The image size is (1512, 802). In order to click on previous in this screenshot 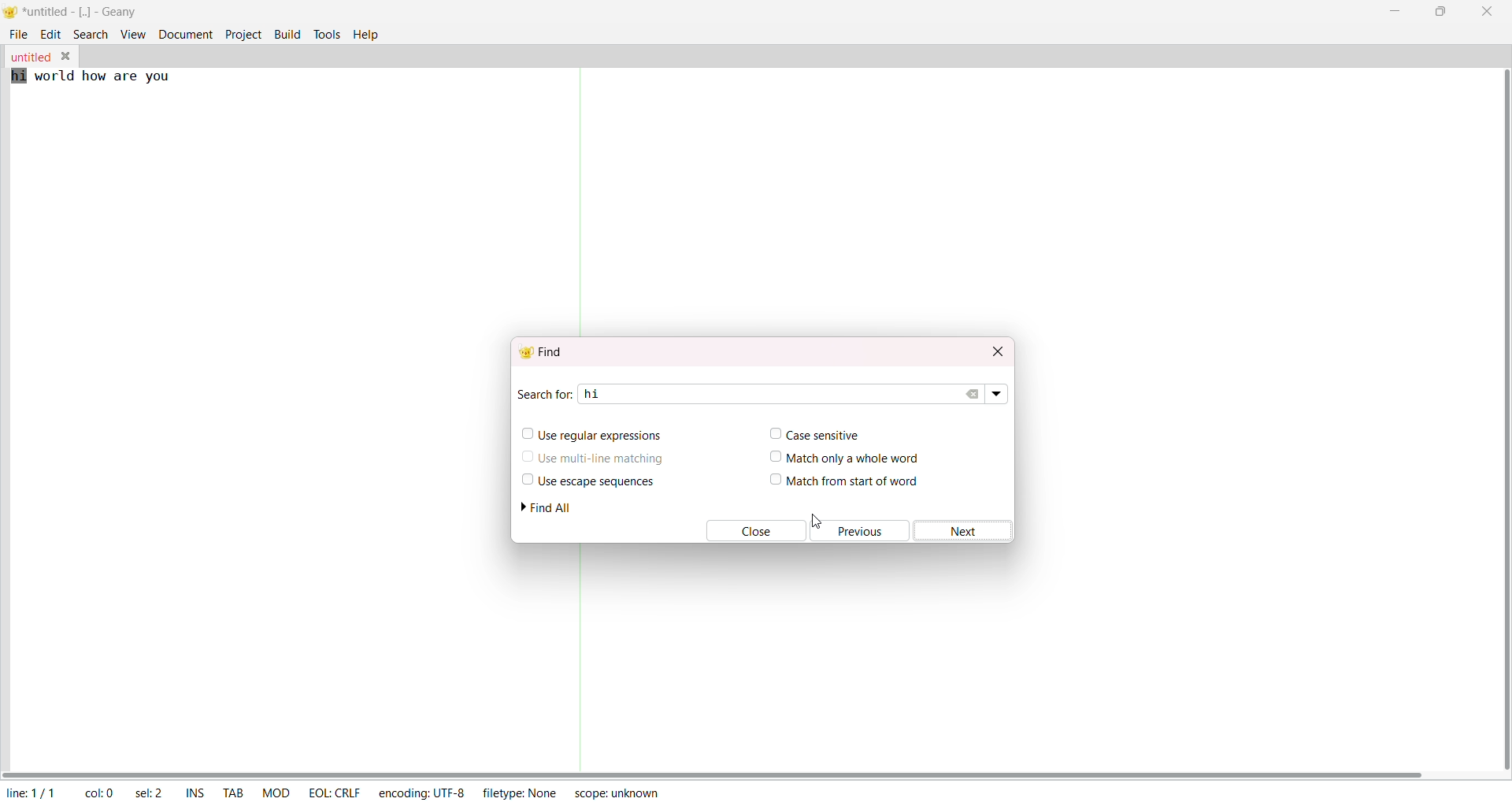, I will do `click(867, 531)`.